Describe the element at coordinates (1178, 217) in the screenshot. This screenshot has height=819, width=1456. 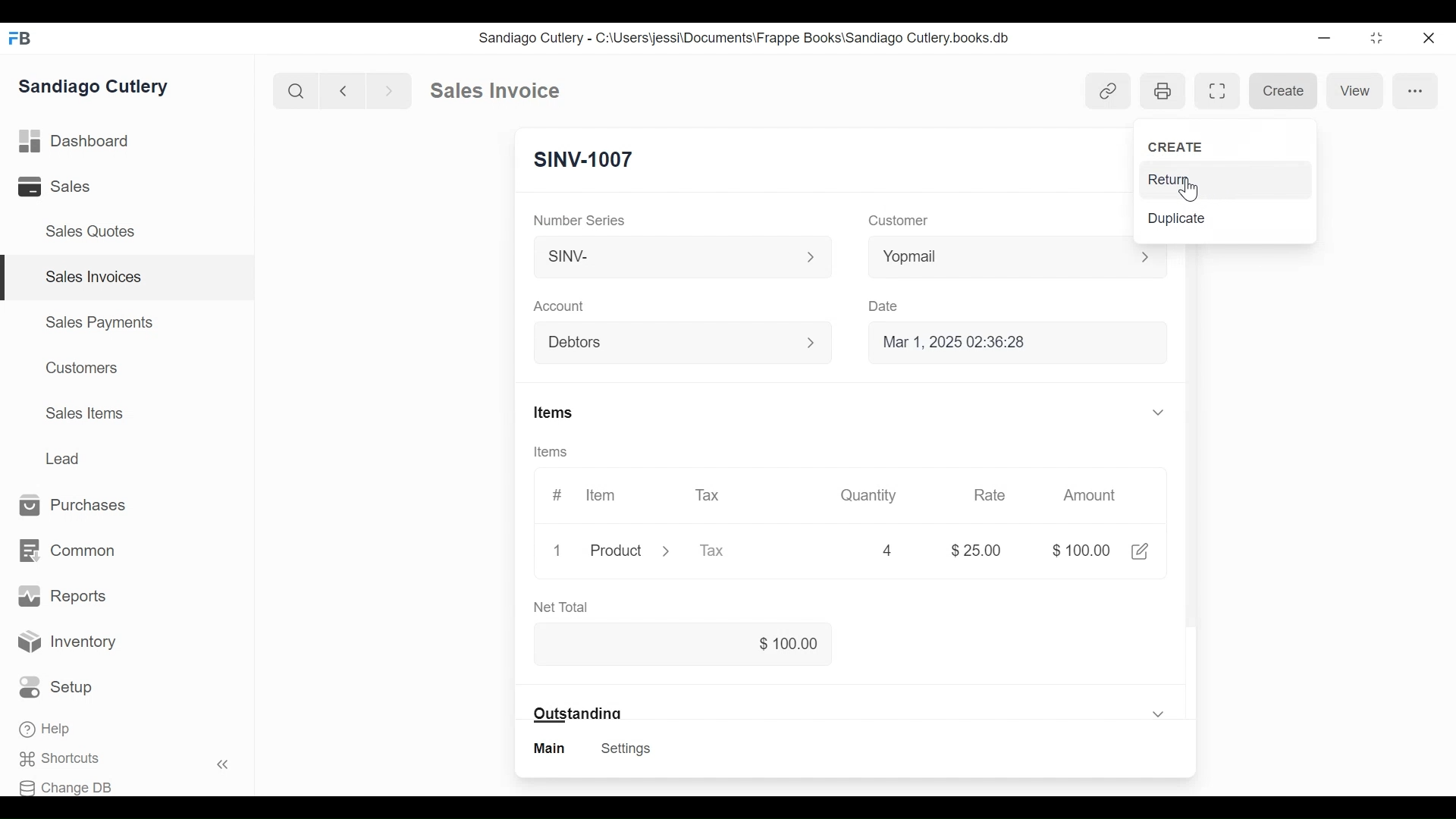
I see `Duplicate` at that location.